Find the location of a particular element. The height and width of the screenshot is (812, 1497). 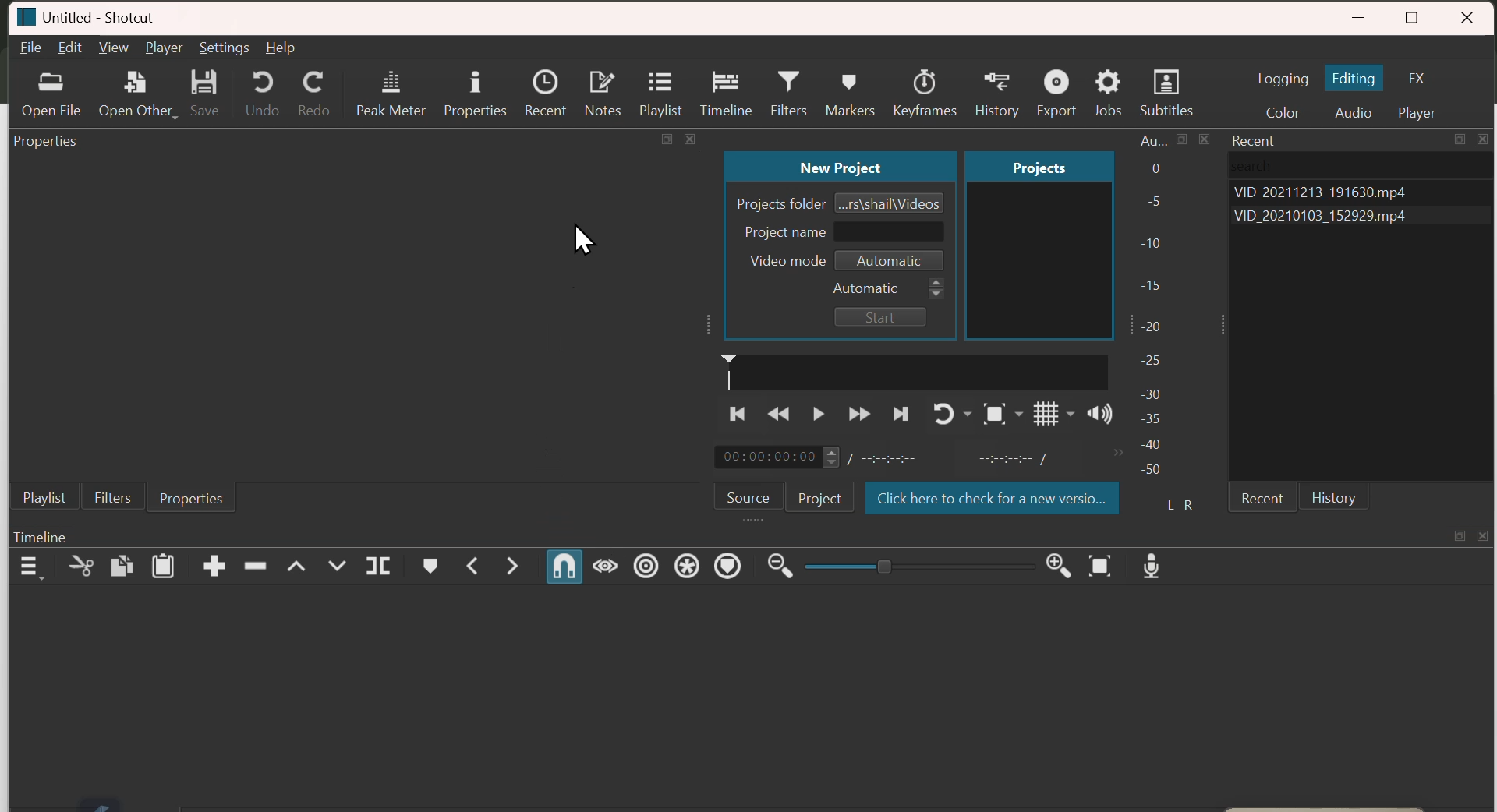

Cursor is located at coordinates (583, 239).